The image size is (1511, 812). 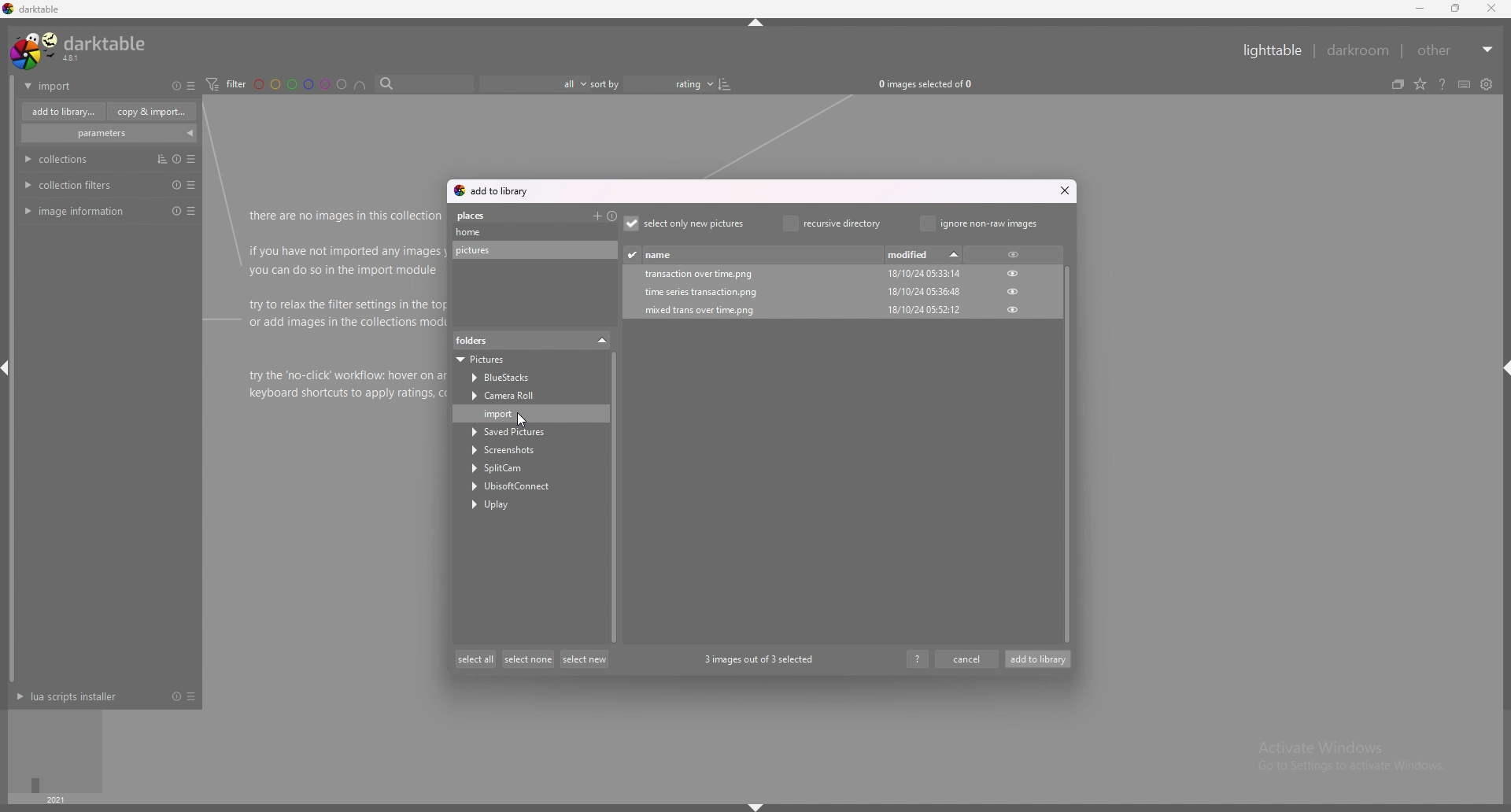 What do you see at coordinates (1456, 50) in the screenshot?
I see `other` at bounding box center [1456, 50].